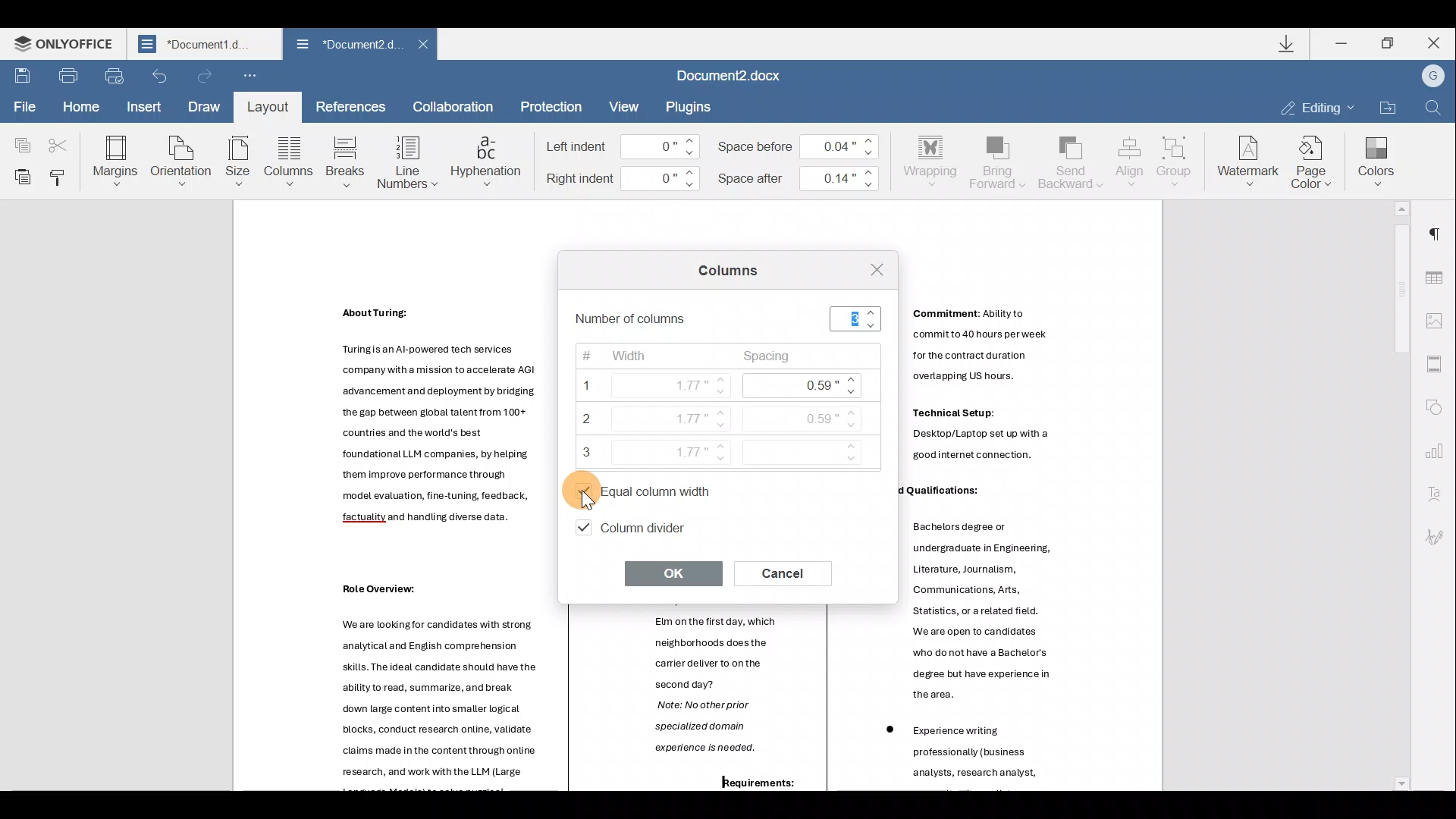 The image size is (1456, 819). Describe the element at coordinates (814, 406) in the screenshot. I see `Spacing` at that location.